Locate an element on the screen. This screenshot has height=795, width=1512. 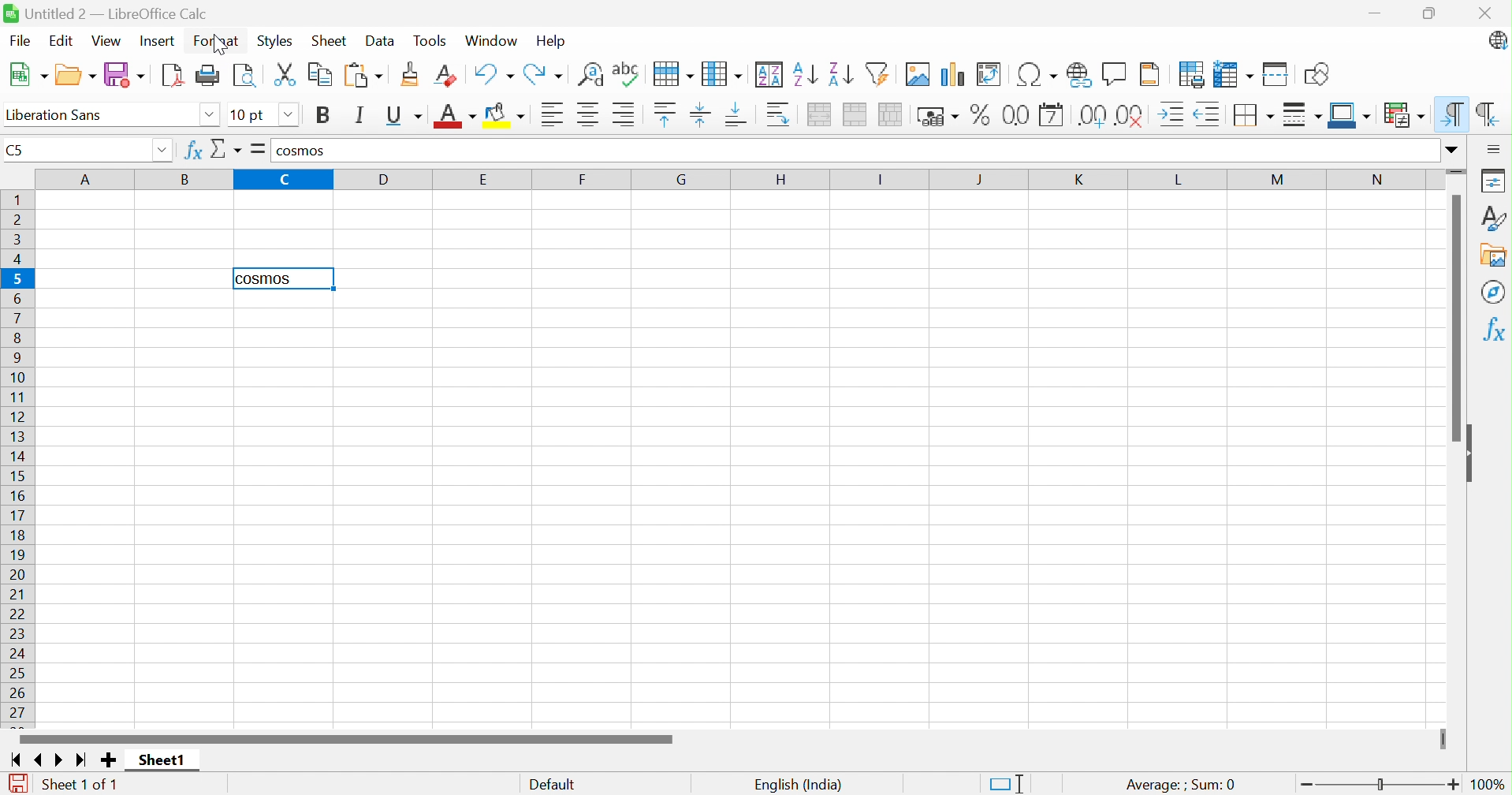
Clear direct formatting is located at coordinates (445, 76).